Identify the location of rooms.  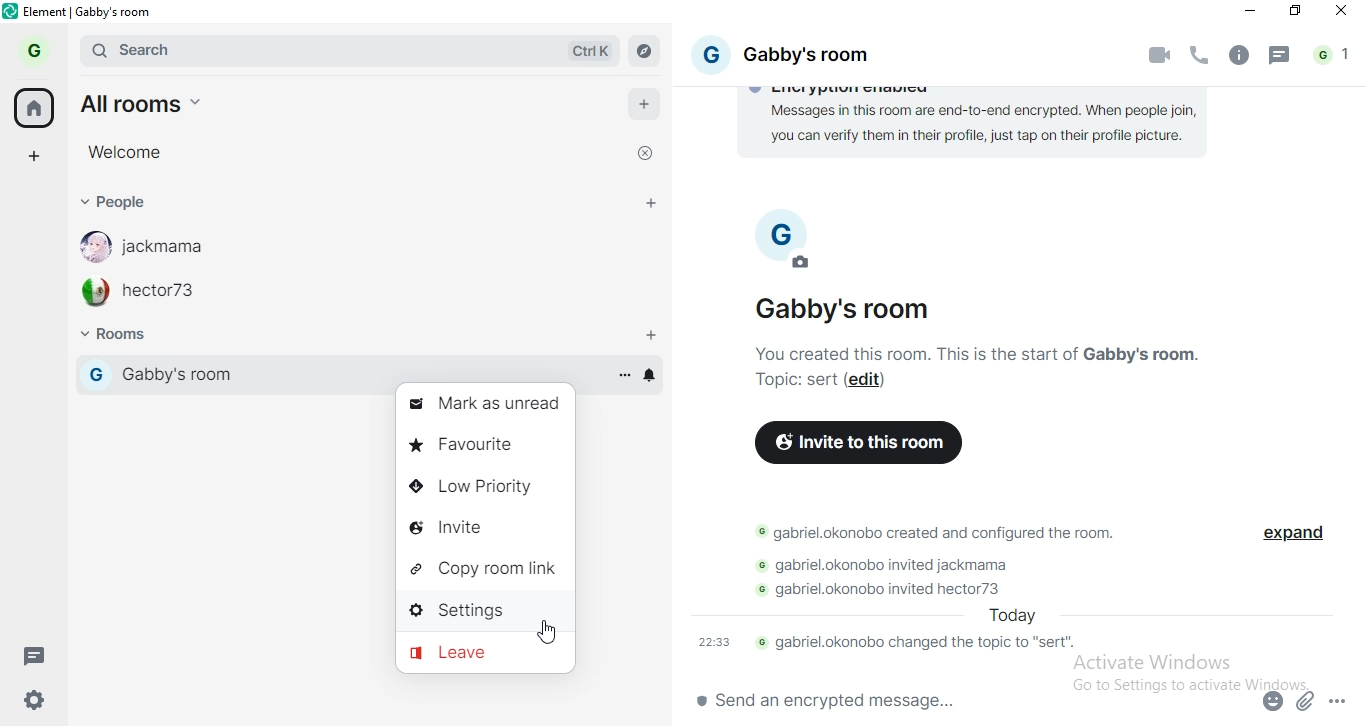
(136, 336).